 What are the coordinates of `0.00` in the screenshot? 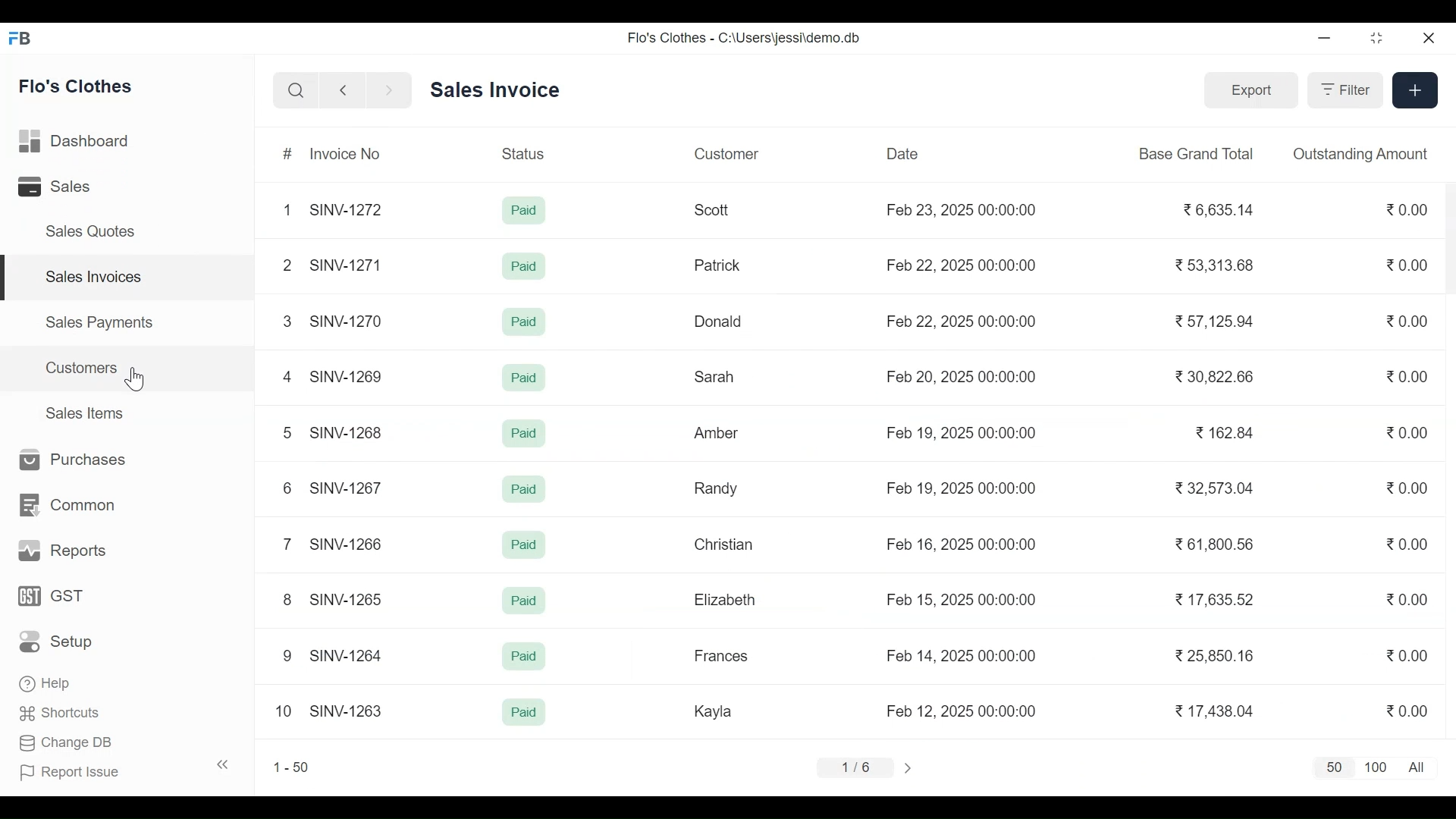 It's located at (1407, 655).